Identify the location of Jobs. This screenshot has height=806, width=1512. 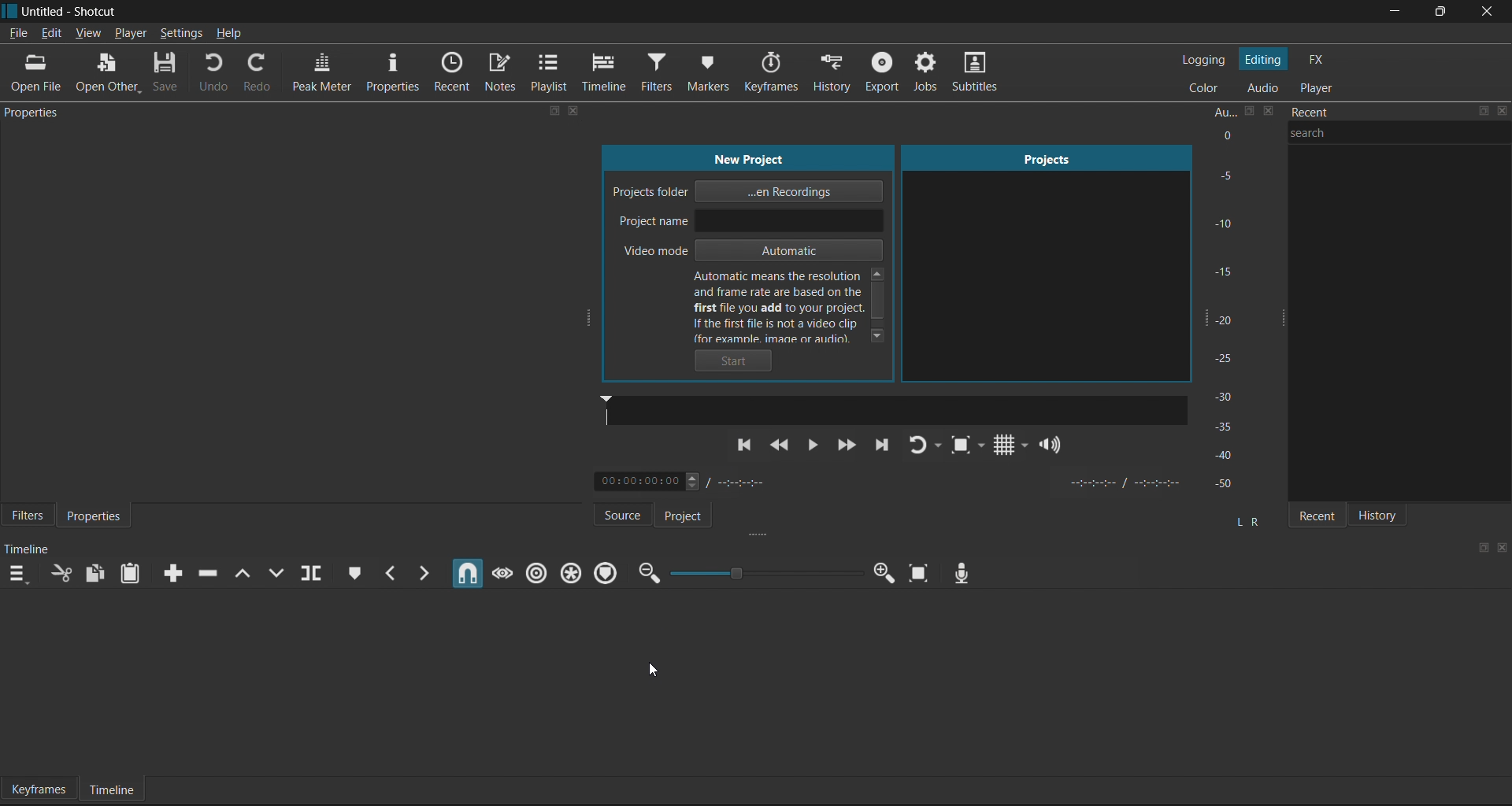
(923, 74).